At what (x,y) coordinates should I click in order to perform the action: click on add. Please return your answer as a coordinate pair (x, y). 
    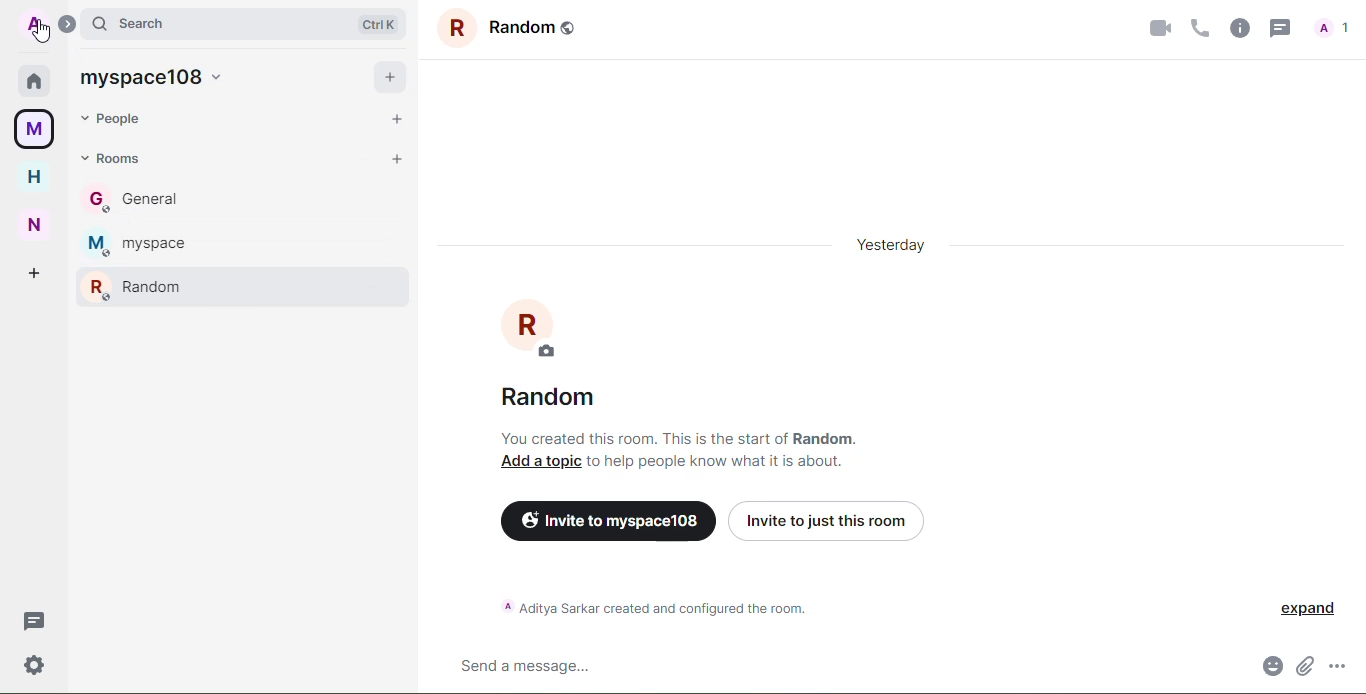
    Looking at the image, I should click on (390, 76).